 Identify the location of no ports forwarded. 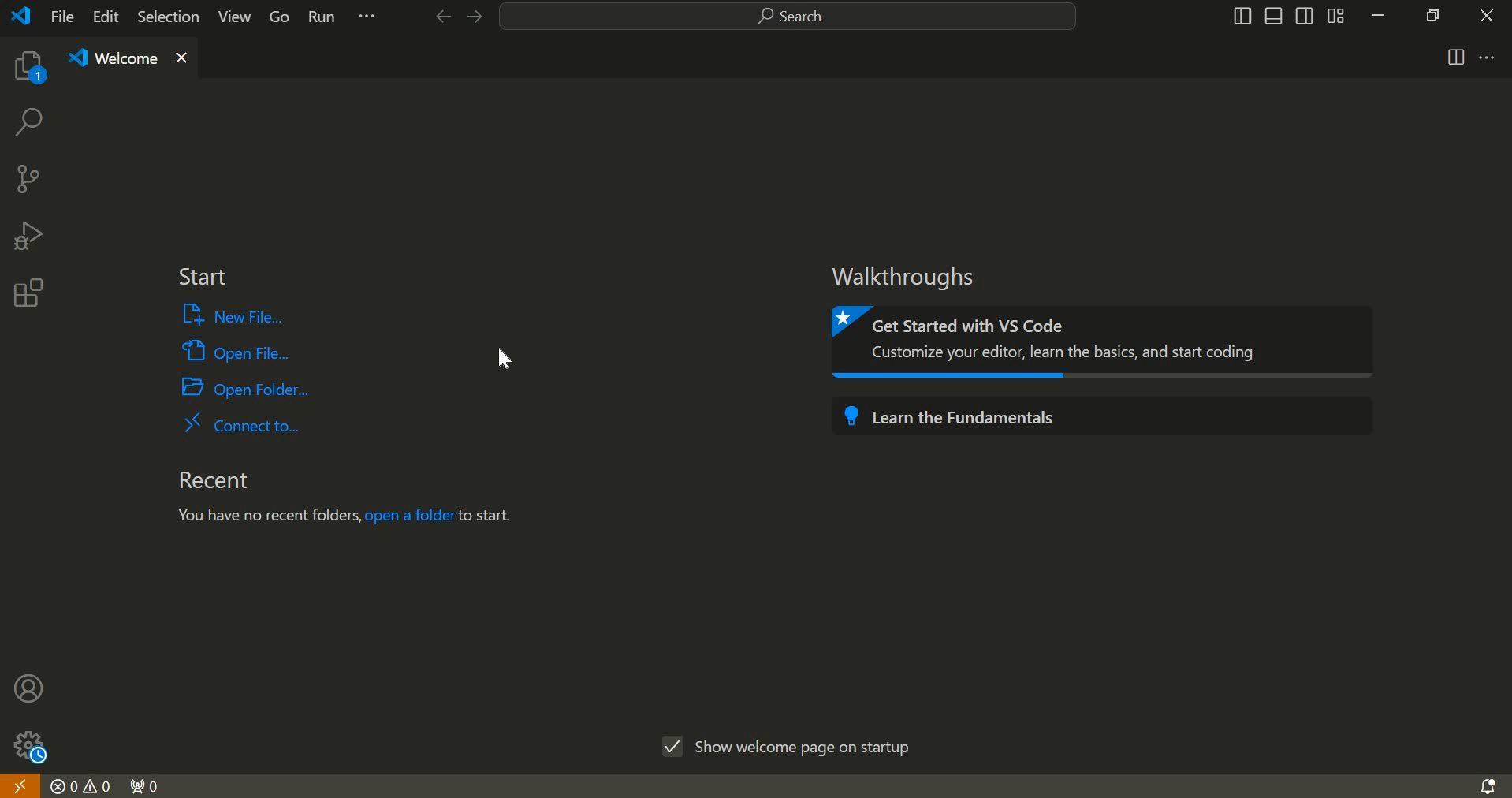
(145, 785).